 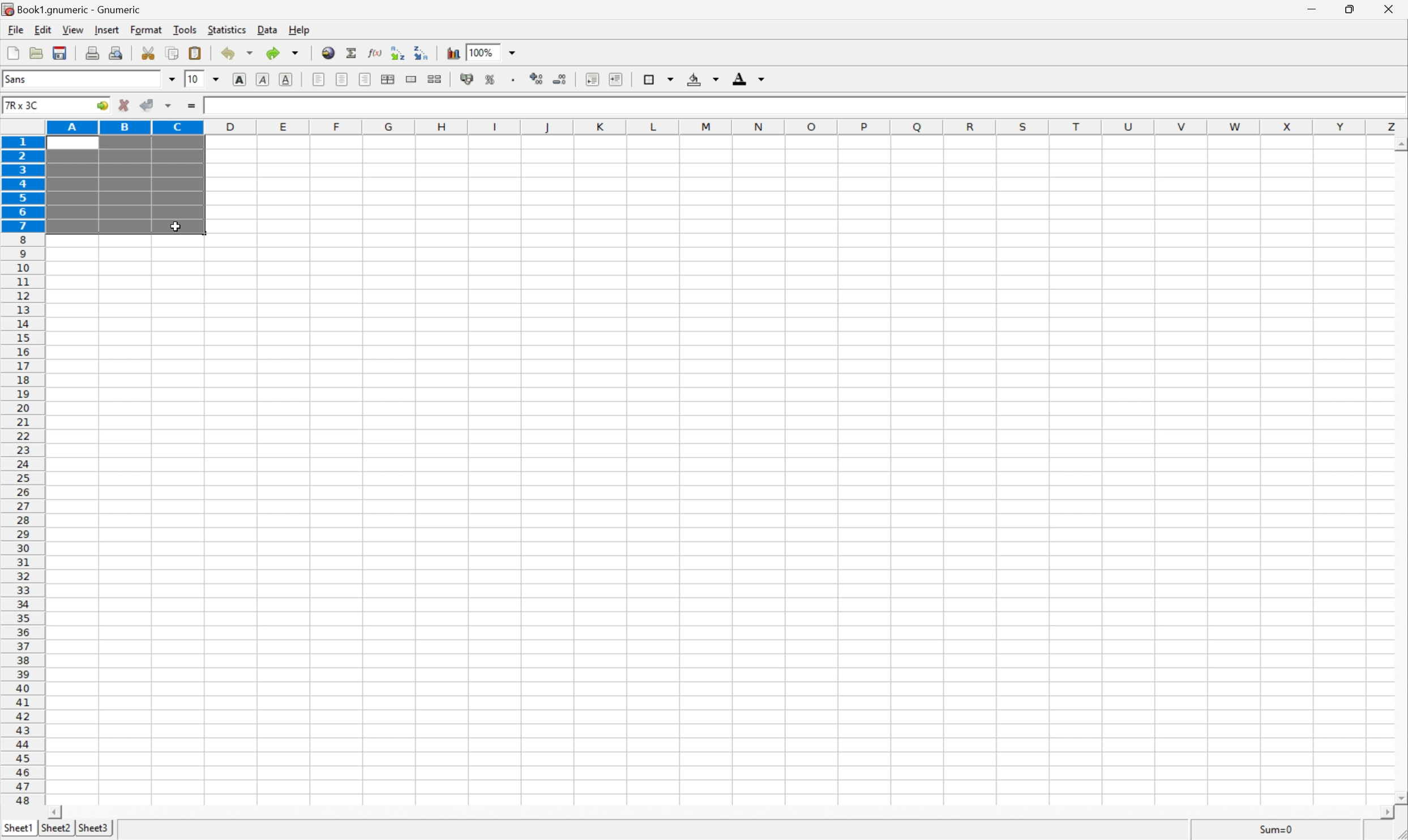 What do you see at coordinates (54, 831) in the screenshot?
I see `sheet2` at bounding box center [54, 831].